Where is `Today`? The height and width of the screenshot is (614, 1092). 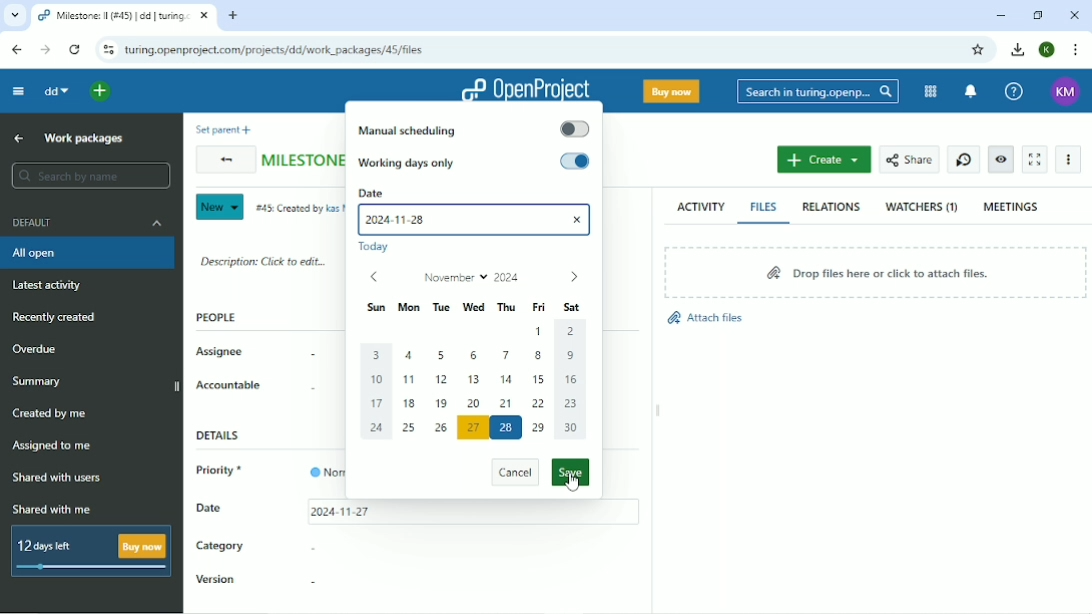
Today is located at coordinates (378, 248).